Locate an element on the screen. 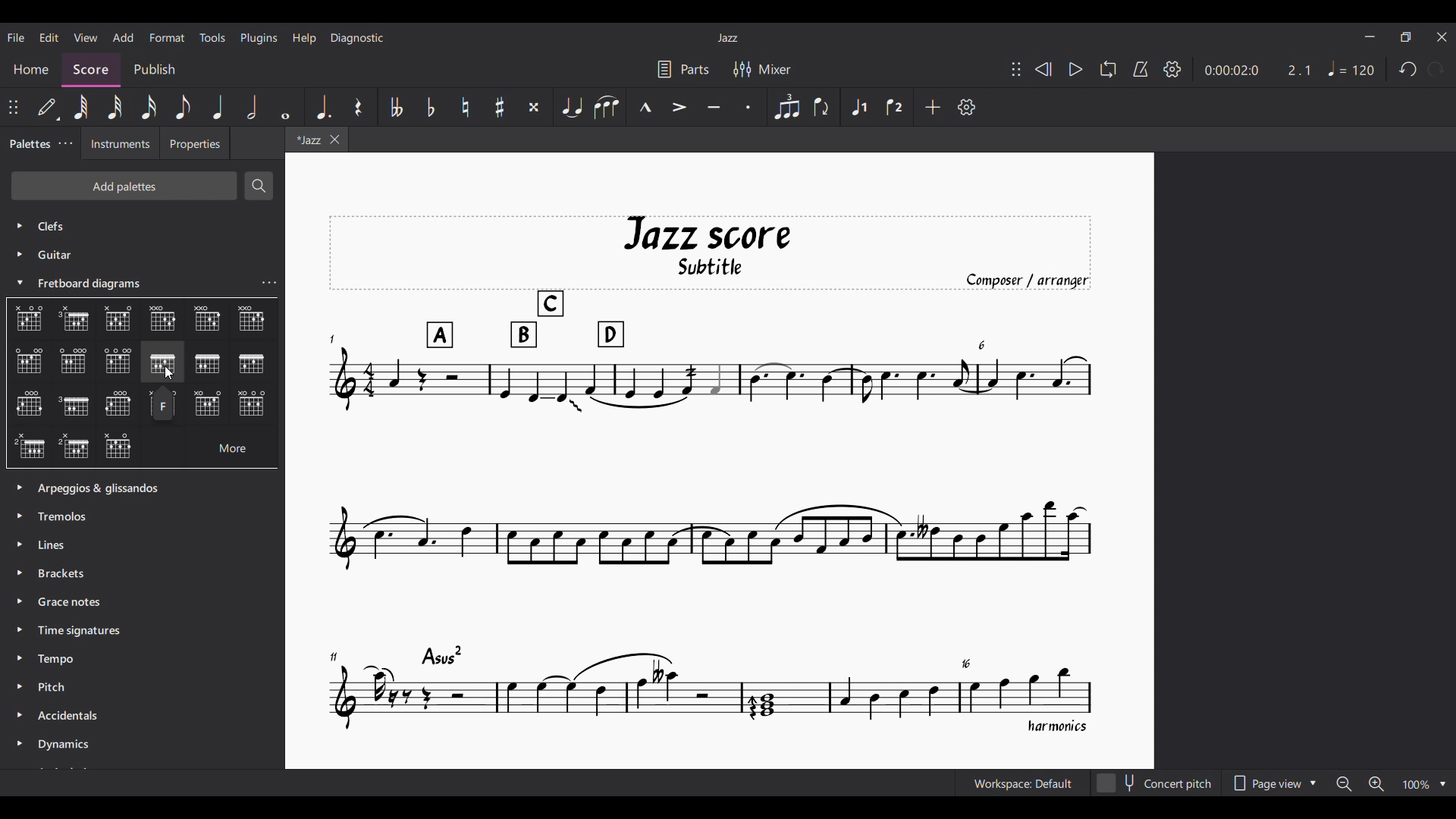 The width and height of the screenshot is (1456, 819). Toggle double flat is located at coordinates (395, 107).